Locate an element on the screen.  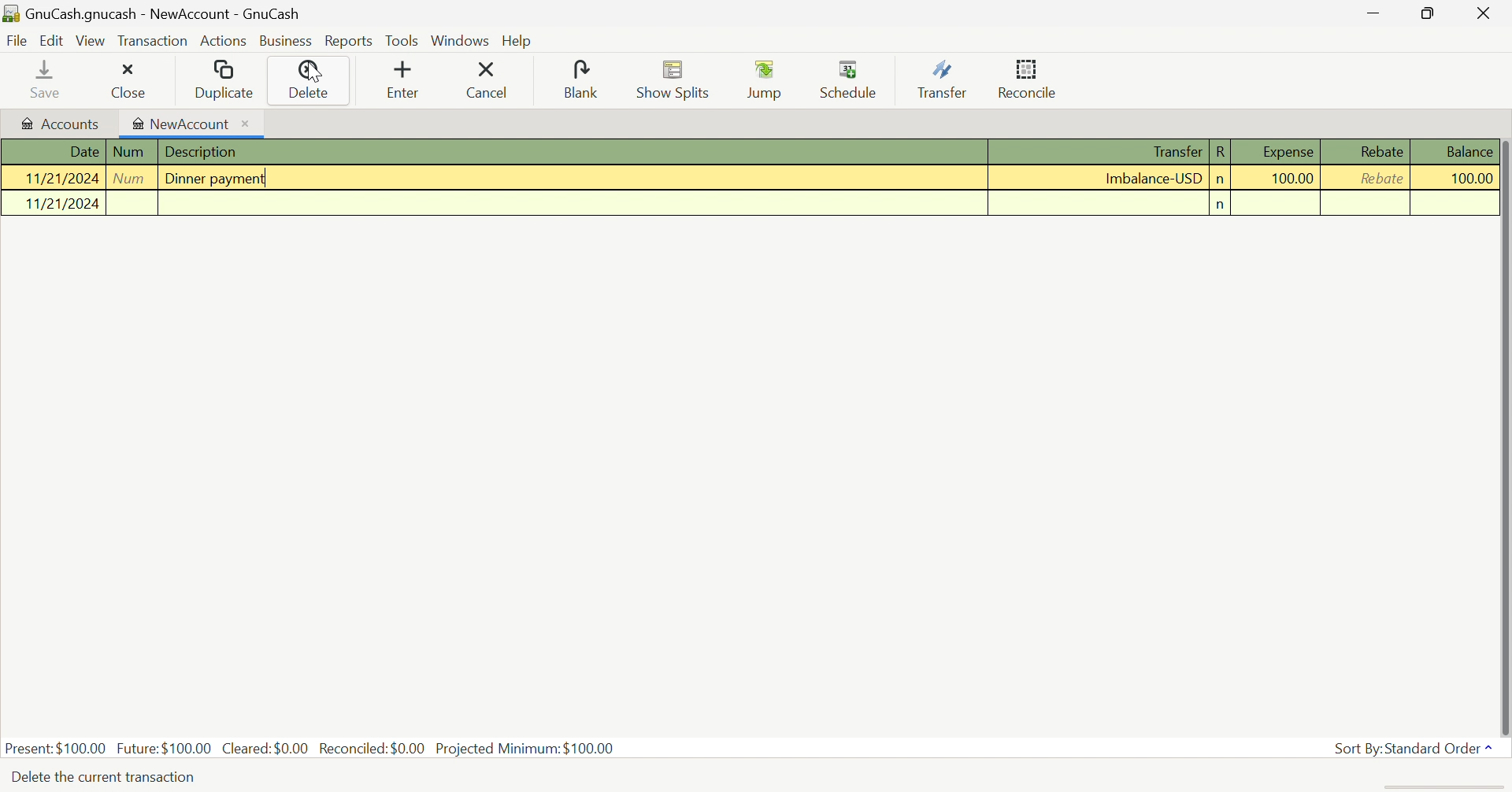
Transfer is located at coordinates (943, 78).